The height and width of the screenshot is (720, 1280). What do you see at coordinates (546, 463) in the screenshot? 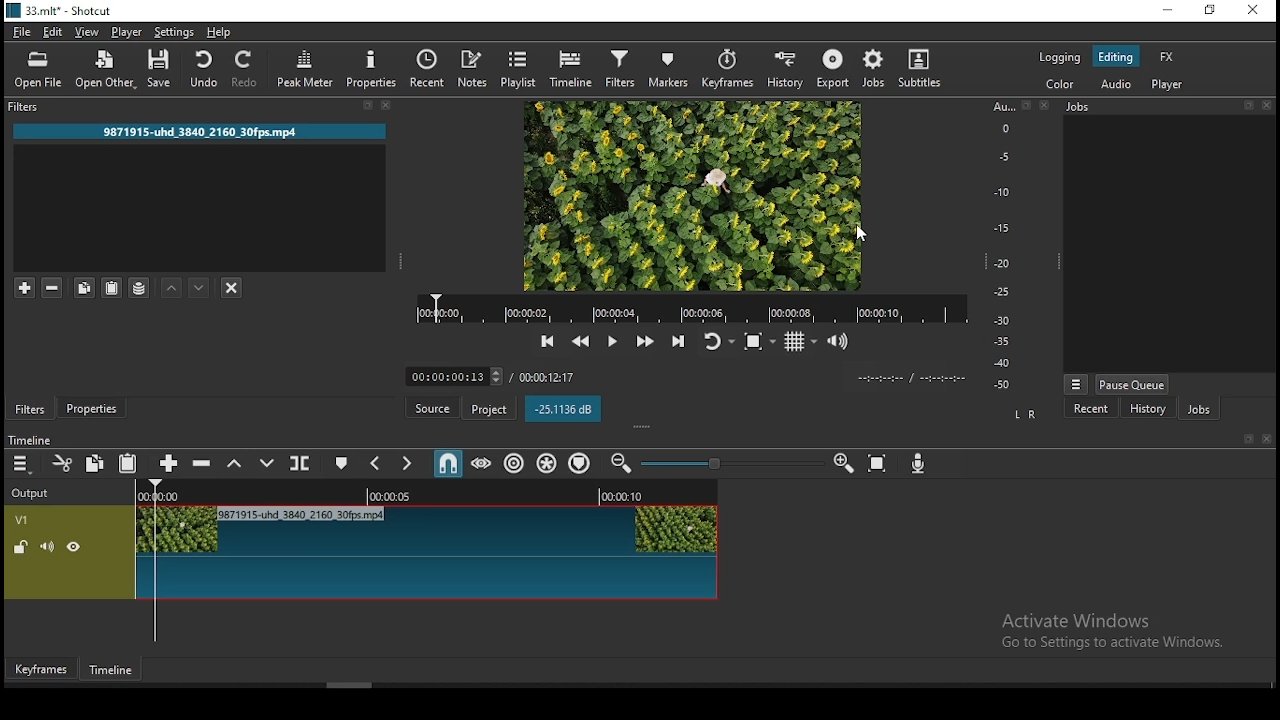
I see `ripple all tracks` at bounding box center [546, 463].